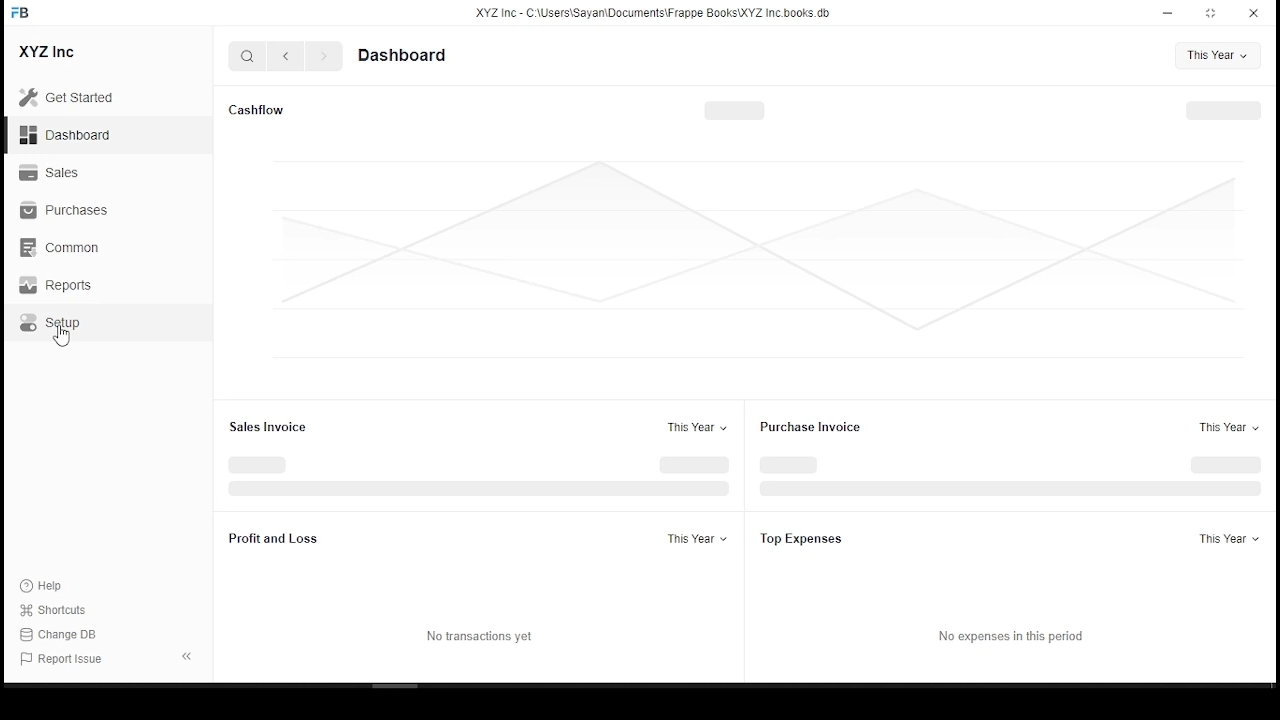 The image size is (1280, 720). I want to click on Dashboard, so click(68, 137).